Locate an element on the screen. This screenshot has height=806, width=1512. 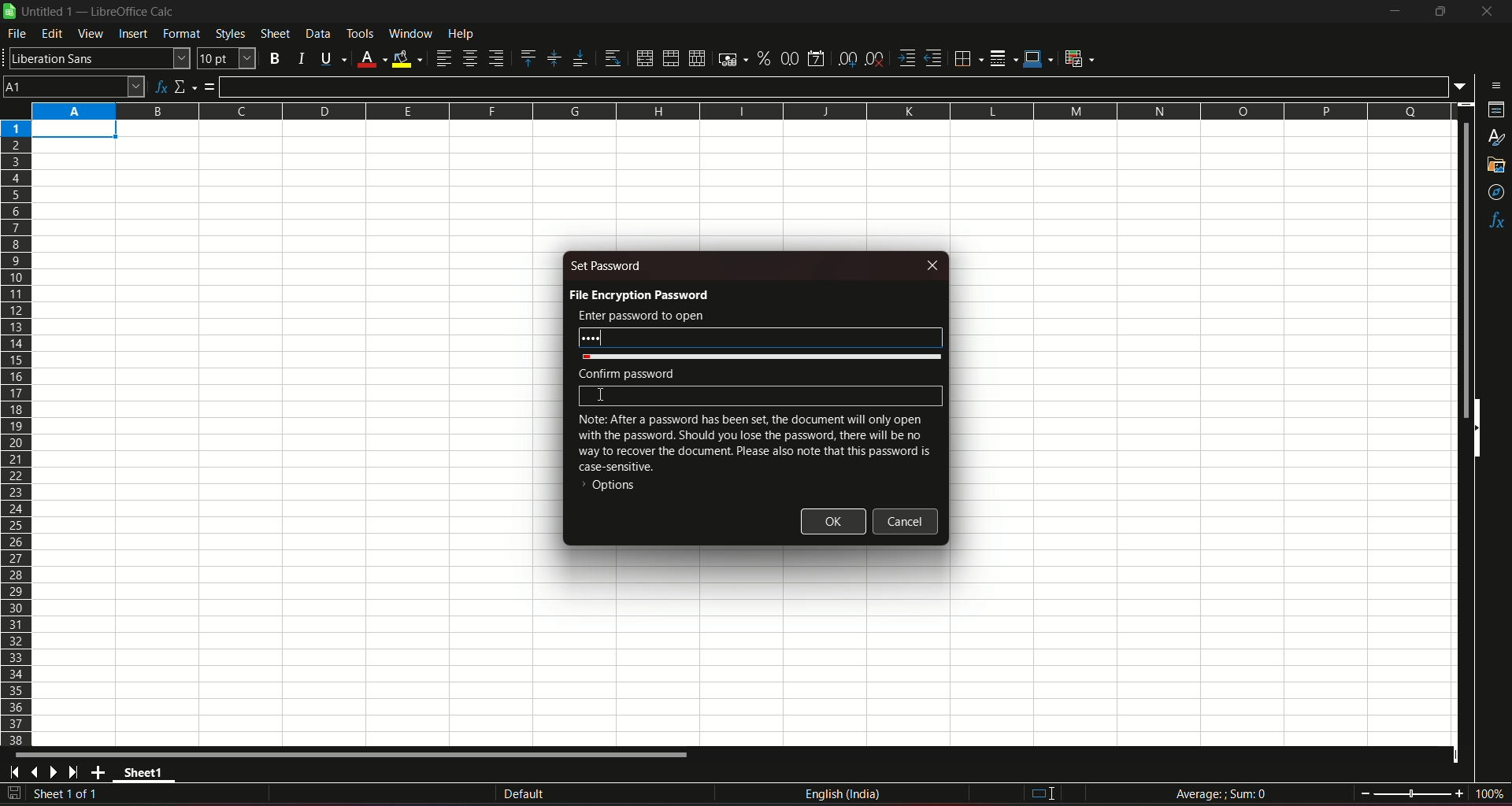
set password is located at coordinates (608, 265).